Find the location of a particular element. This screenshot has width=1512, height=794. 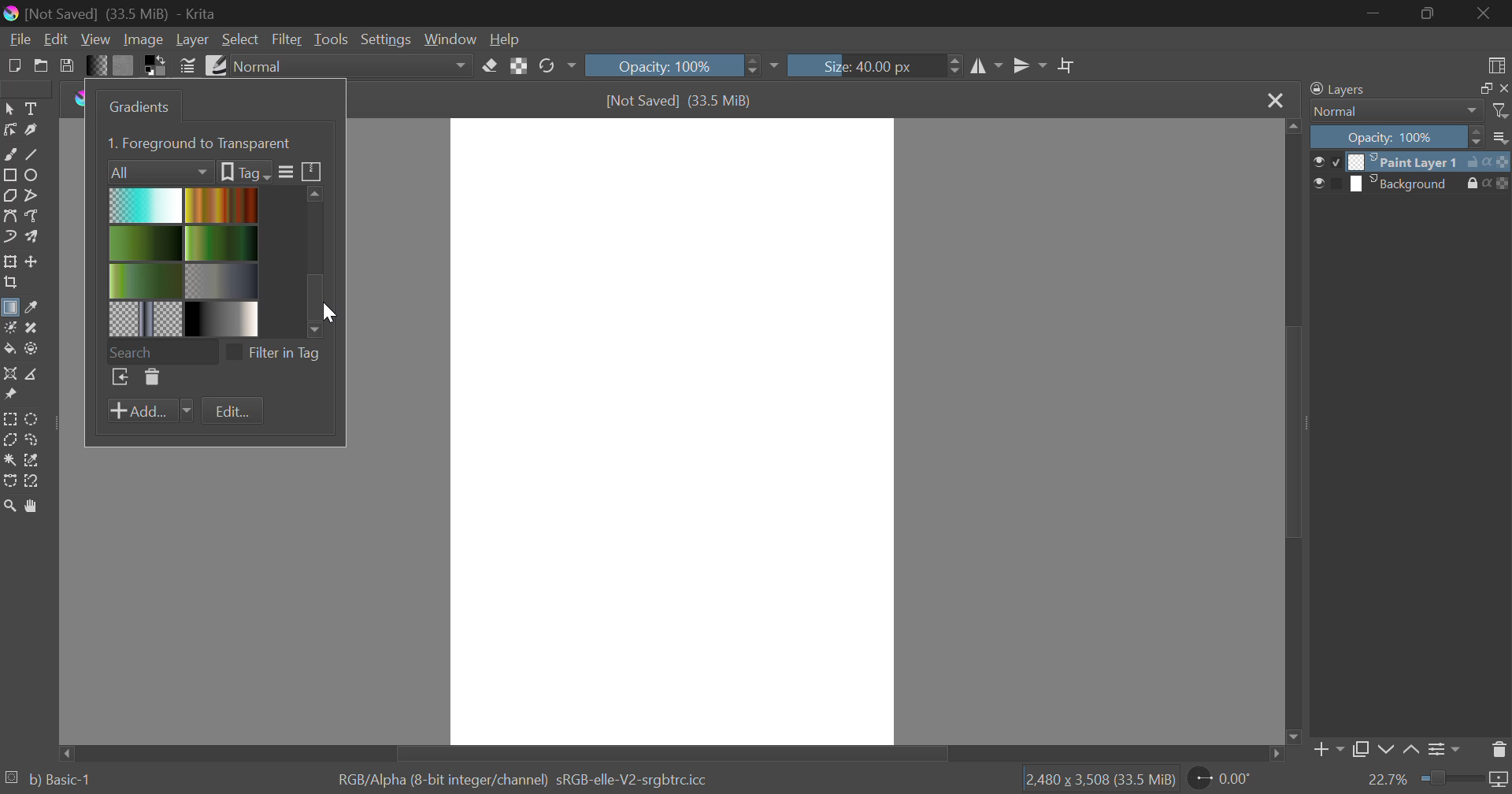

Filter is located at coordinates (288, 39).